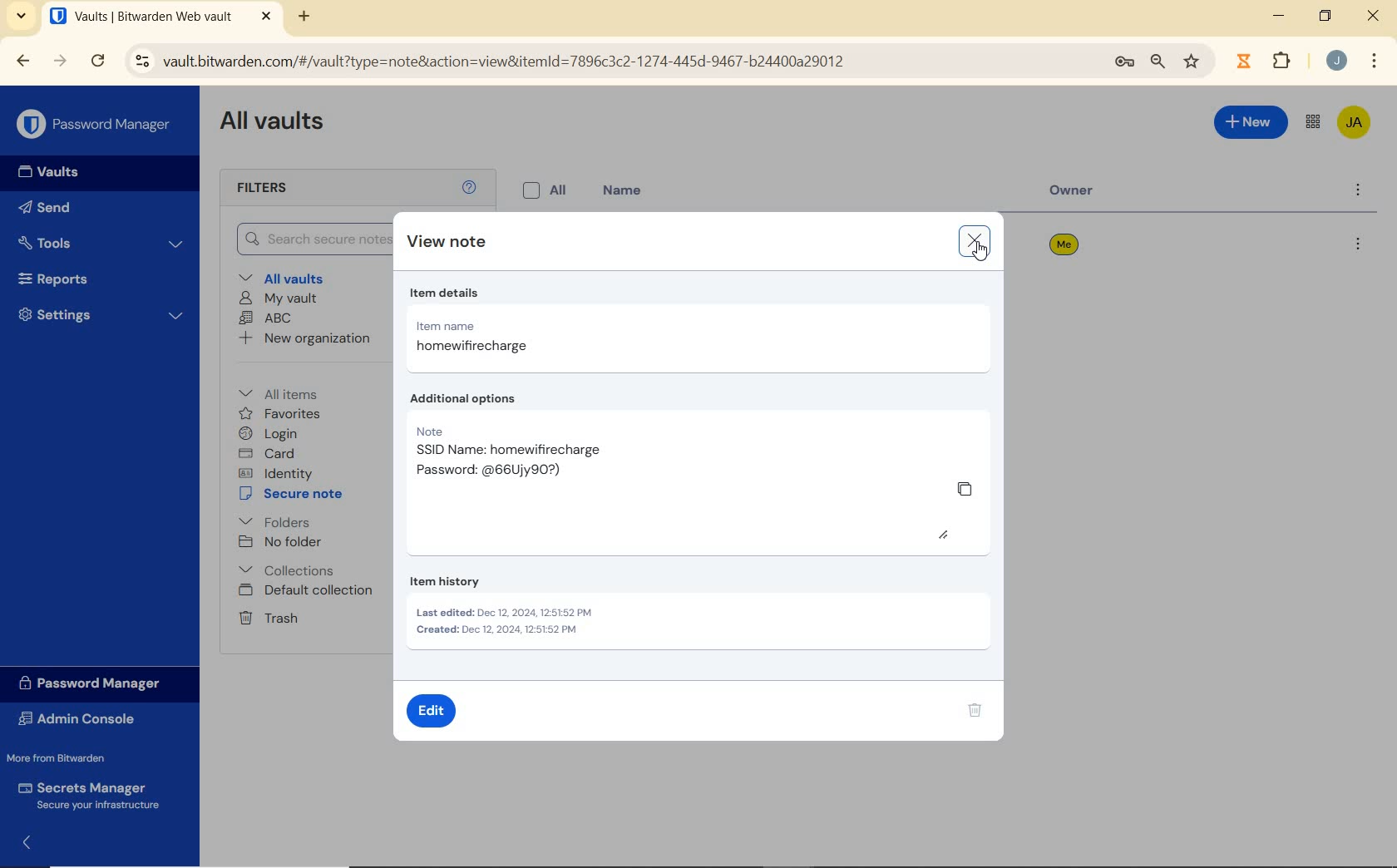  What do you see at coordinates (93, 795) in the screenshot?
I see `Secrets Manager` at bounding box center [93, 795].